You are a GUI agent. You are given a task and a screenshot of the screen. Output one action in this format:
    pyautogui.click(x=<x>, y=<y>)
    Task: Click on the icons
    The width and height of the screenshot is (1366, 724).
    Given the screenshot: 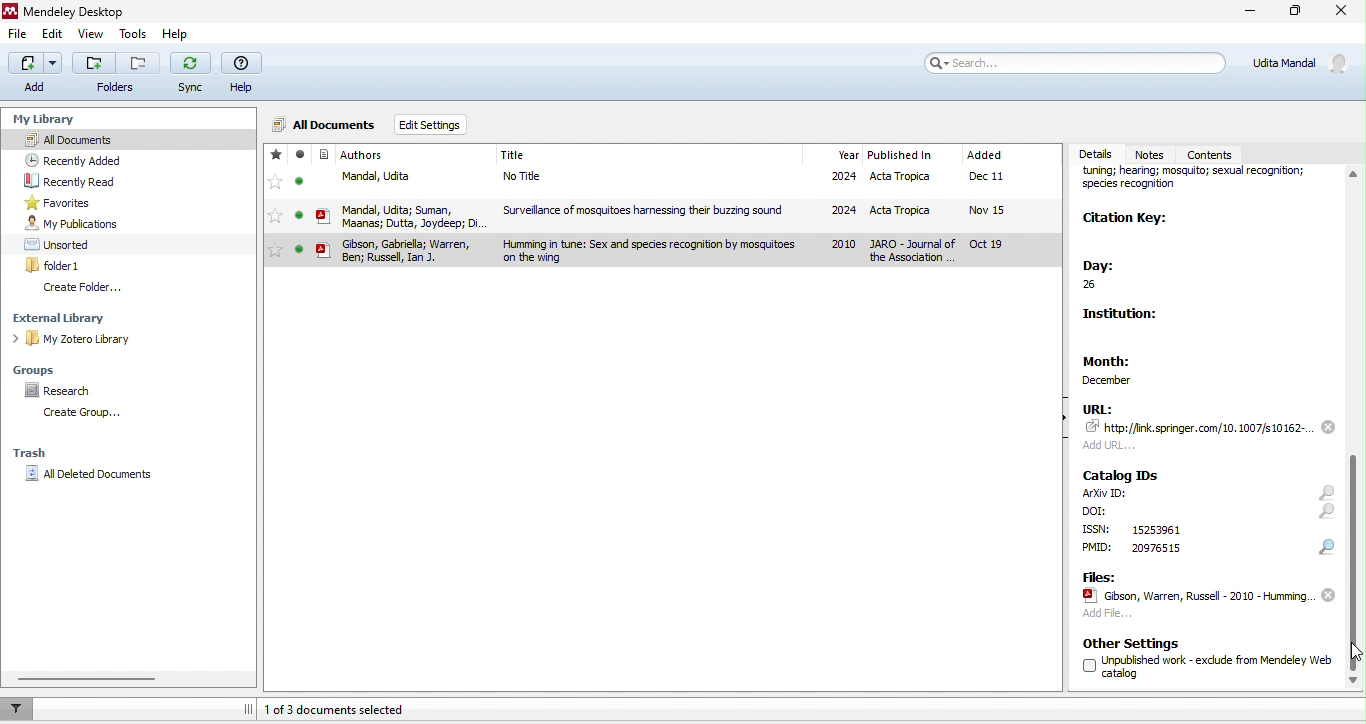 What is the action you would take?
    pyautogui.click(x=1327, y=520)
    